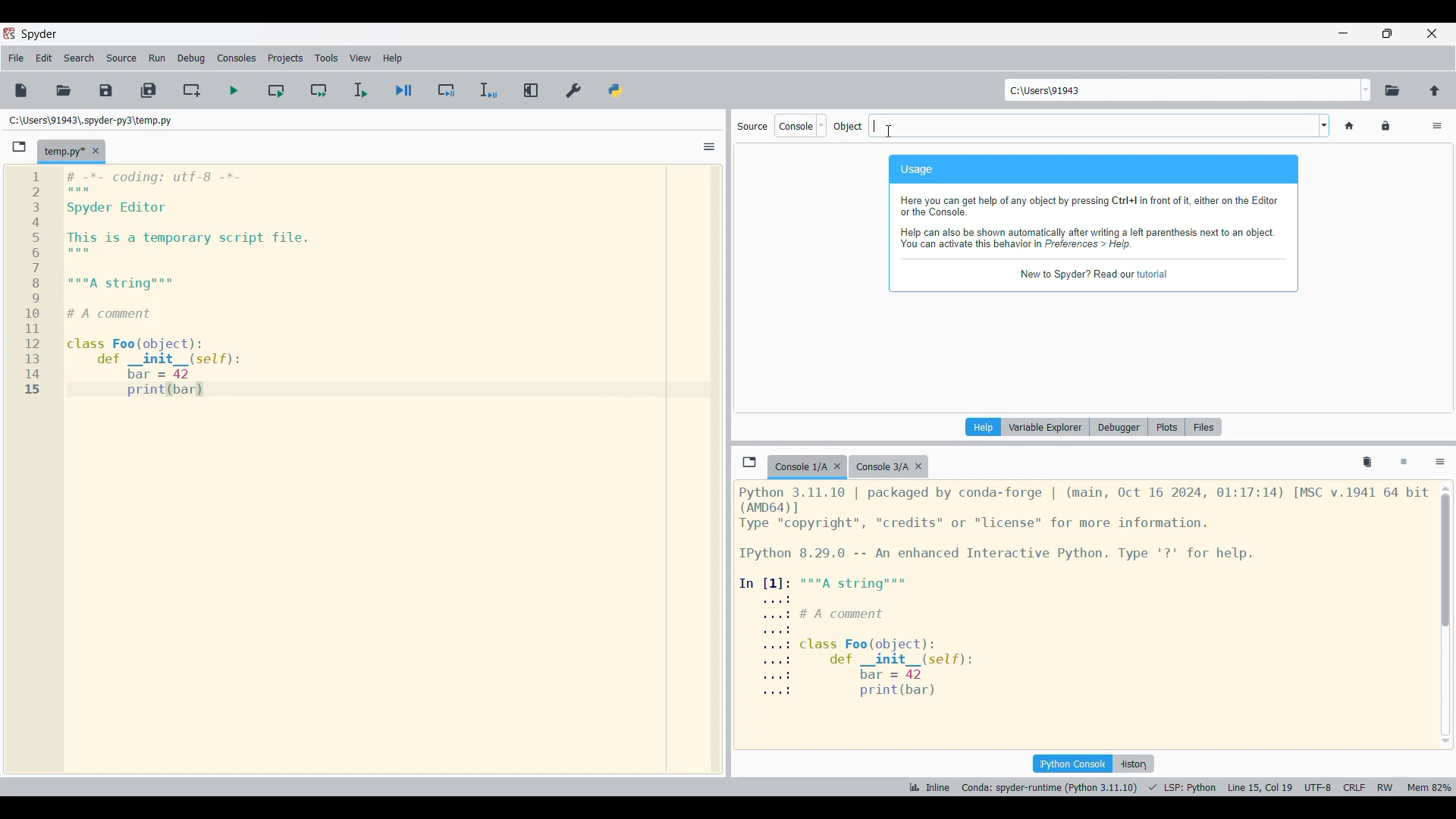 The width and height of the screenshot is (1456, 819). What do you see at coordinates (1324, 125) in the screenshot?
I see `Word options` at bounding box center [1324, 125].